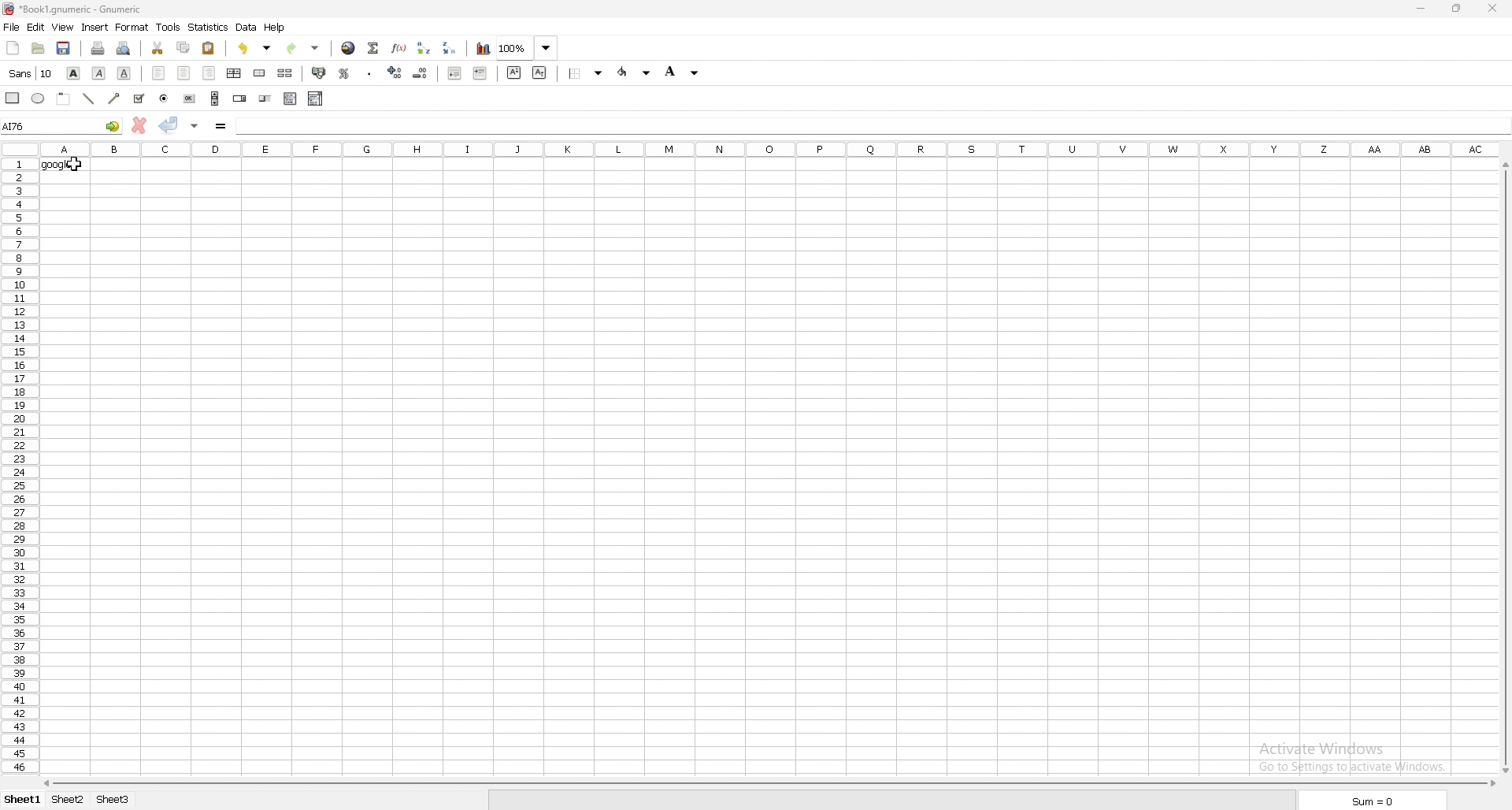  What do you see at coordinates (74, 73) in the screenshot?
I see `bold` at bounding box center [74, 73].